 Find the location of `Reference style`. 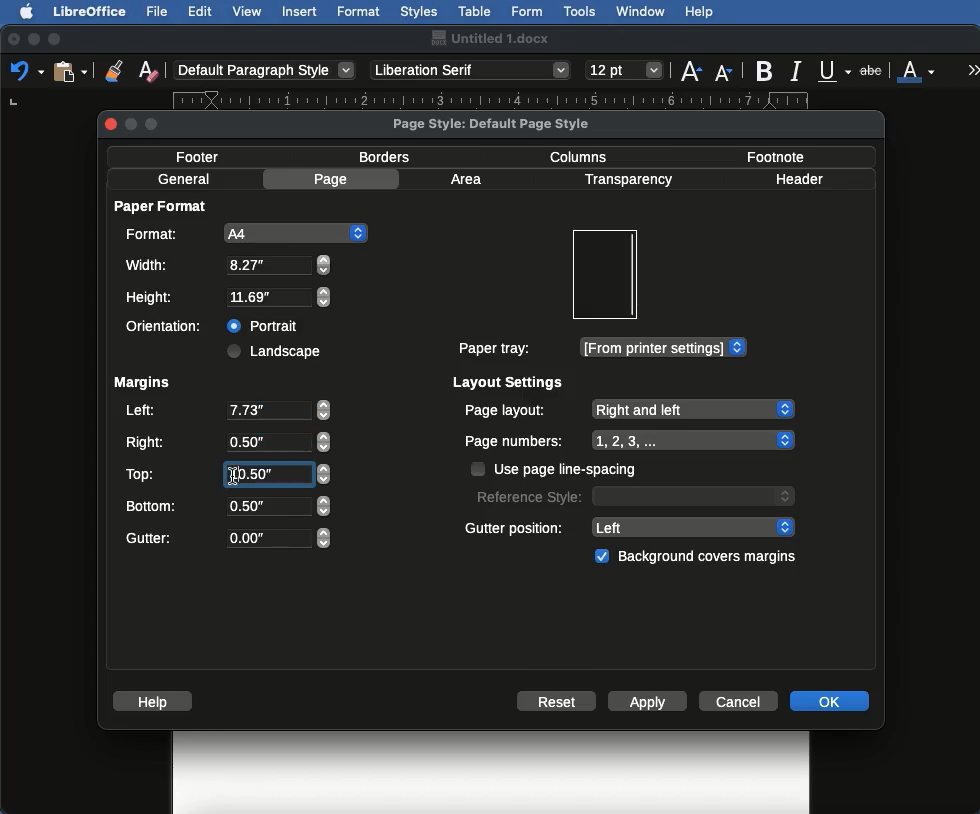

Reference style is located at coordinates (633, 495).